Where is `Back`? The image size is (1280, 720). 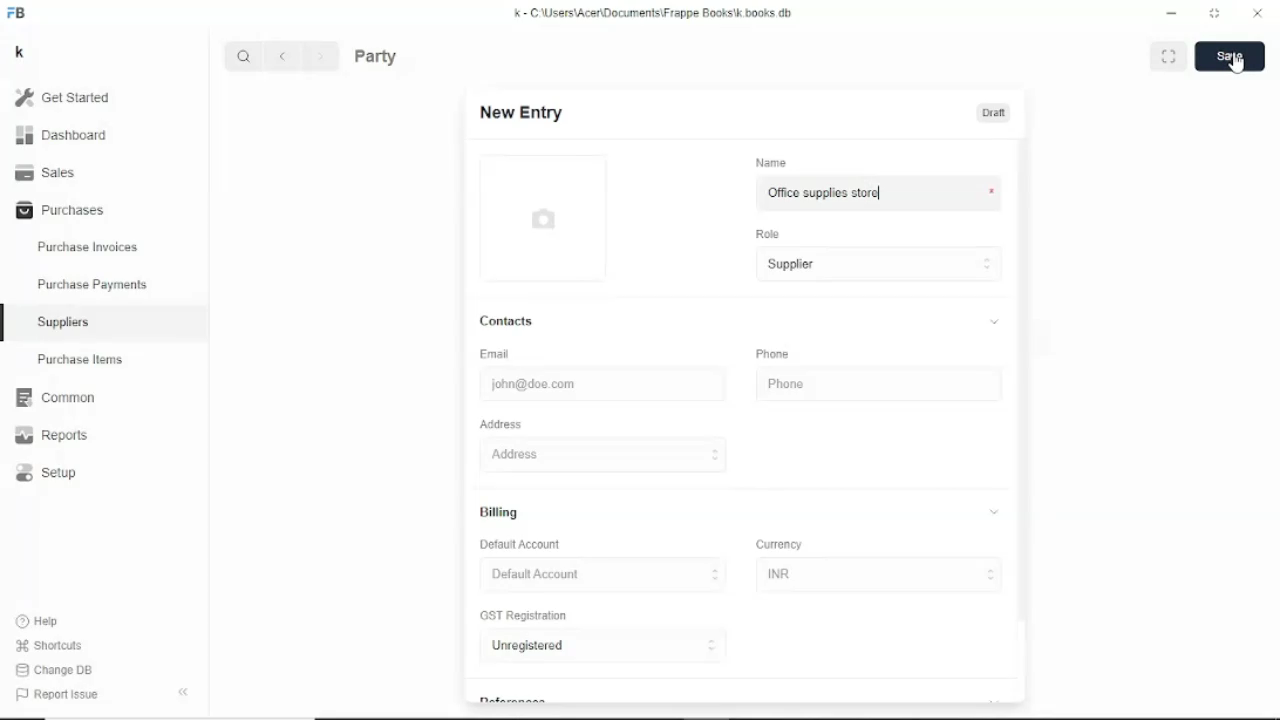
Back is located at coordinates (286, 56).